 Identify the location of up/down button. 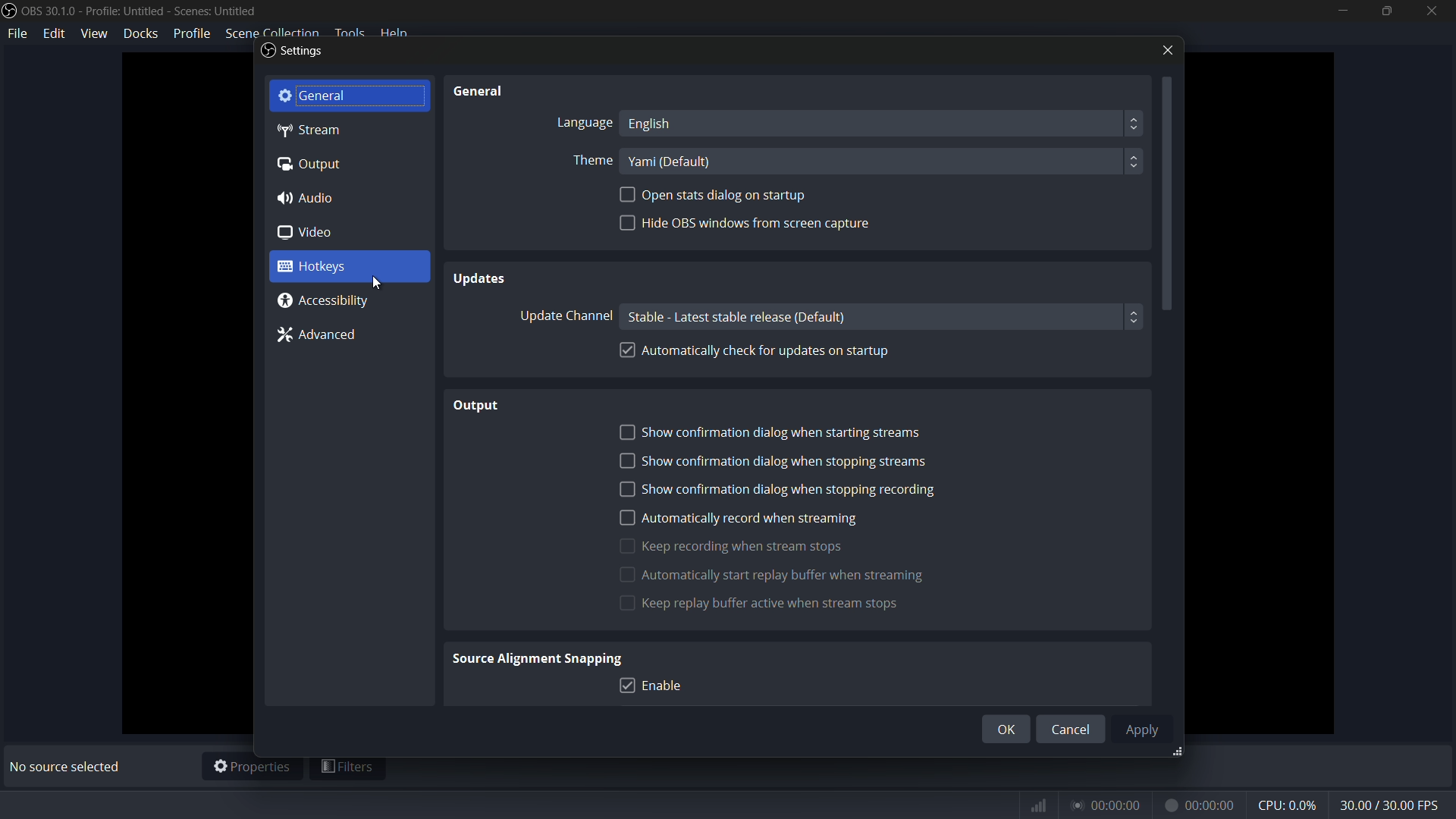
(1131, 159).